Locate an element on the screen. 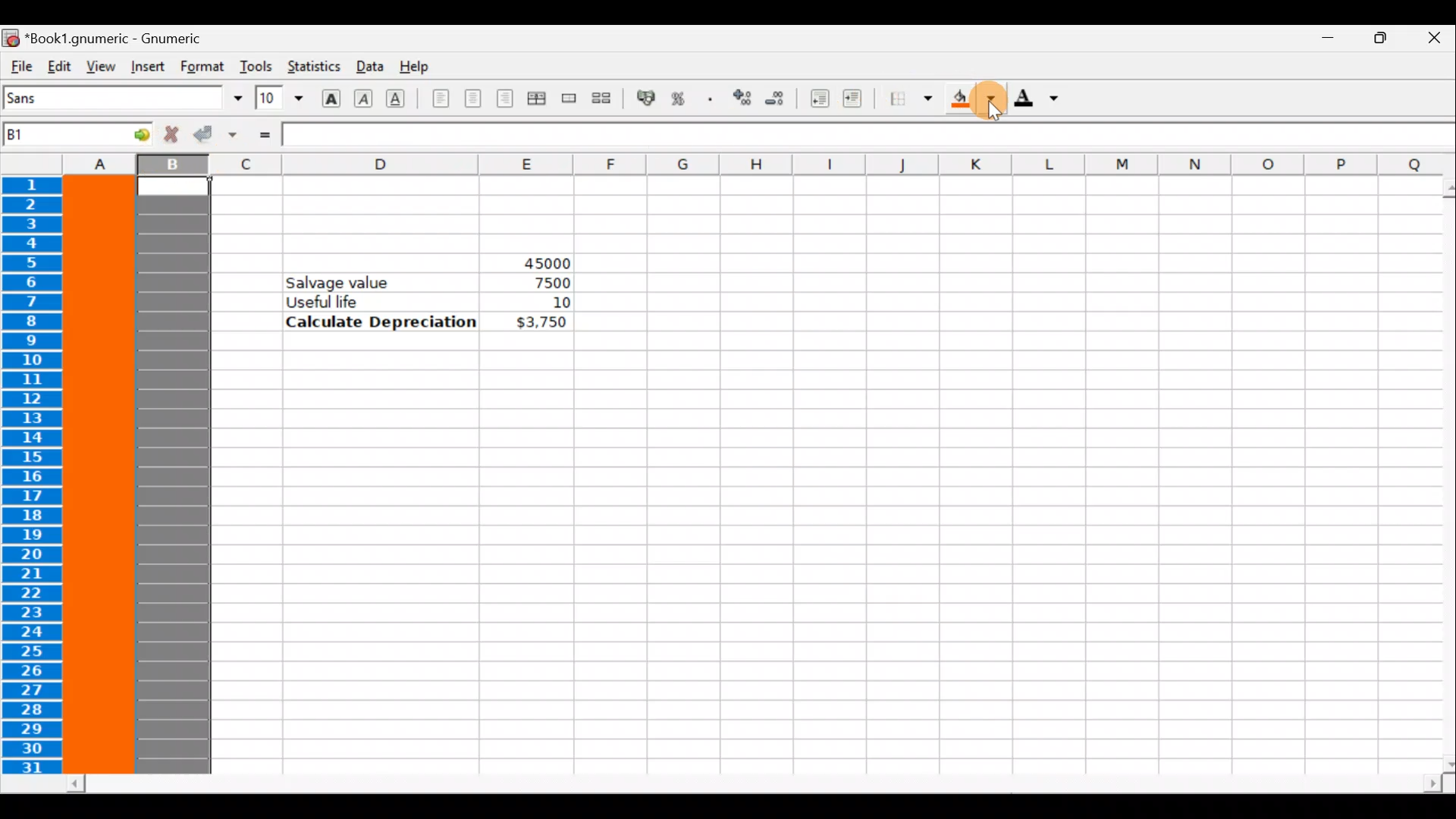  Include thousands separator is located at coordinates (711, 99).